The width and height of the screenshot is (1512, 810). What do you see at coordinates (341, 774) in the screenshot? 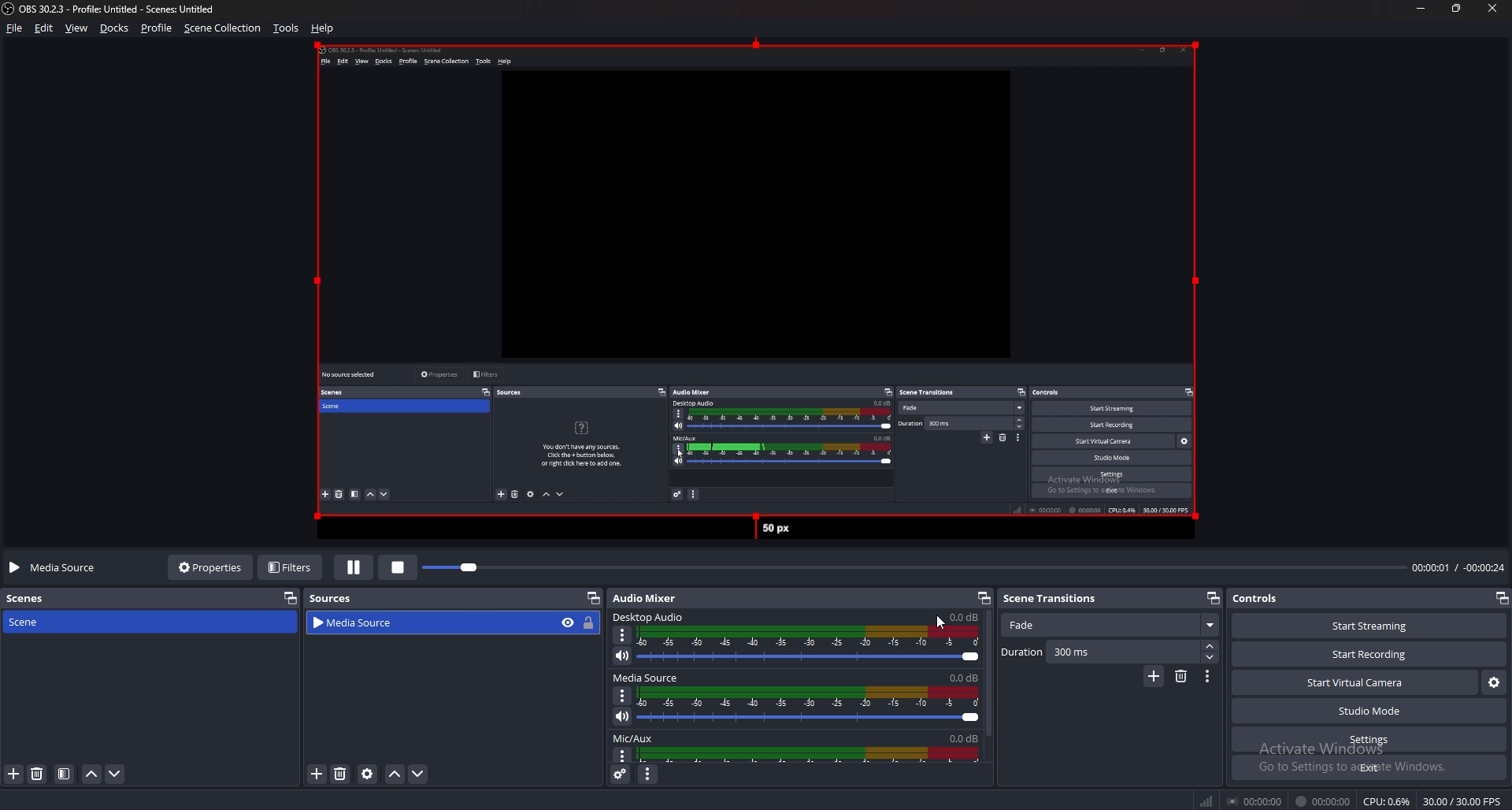
I see `Delete sources` at bounding box center [341, 774].